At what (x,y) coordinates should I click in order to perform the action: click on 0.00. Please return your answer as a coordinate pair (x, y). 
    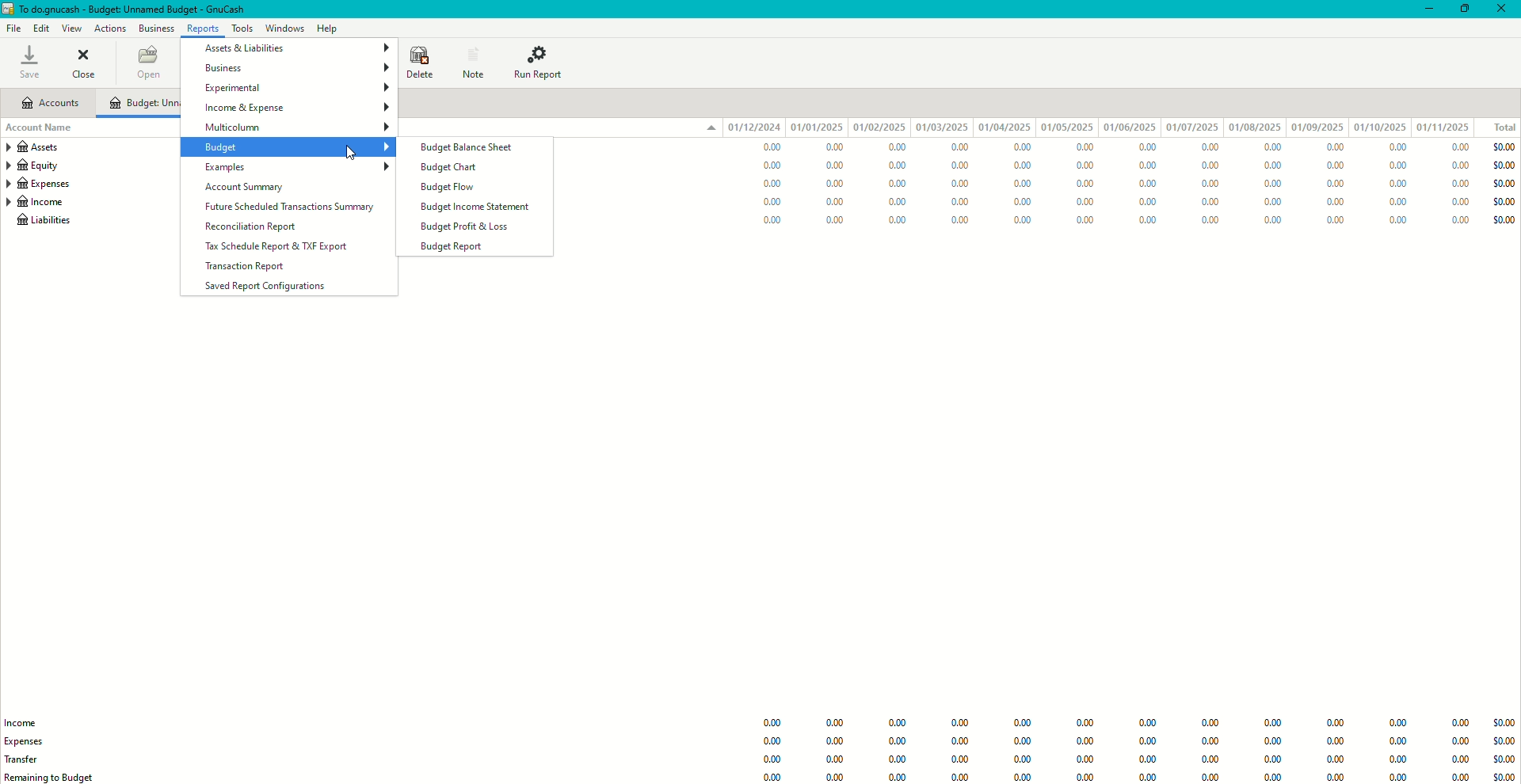
    Looking at the image, I should click on (1147, 165).